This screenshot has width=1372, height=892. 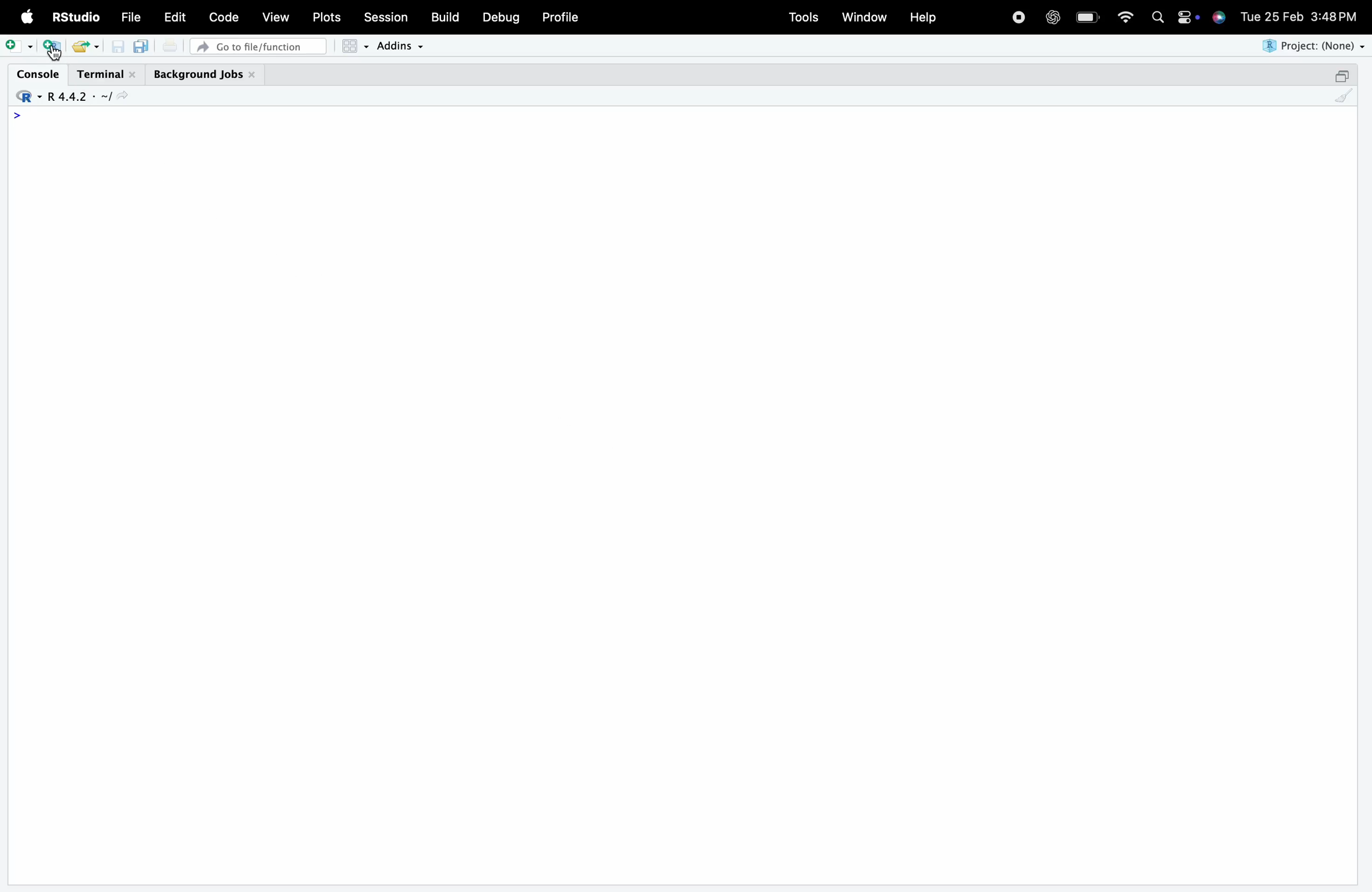 What do you see at coordinates (74, 17) in the screenshot?
I see `RStudio` at bounding box center [74, 17].